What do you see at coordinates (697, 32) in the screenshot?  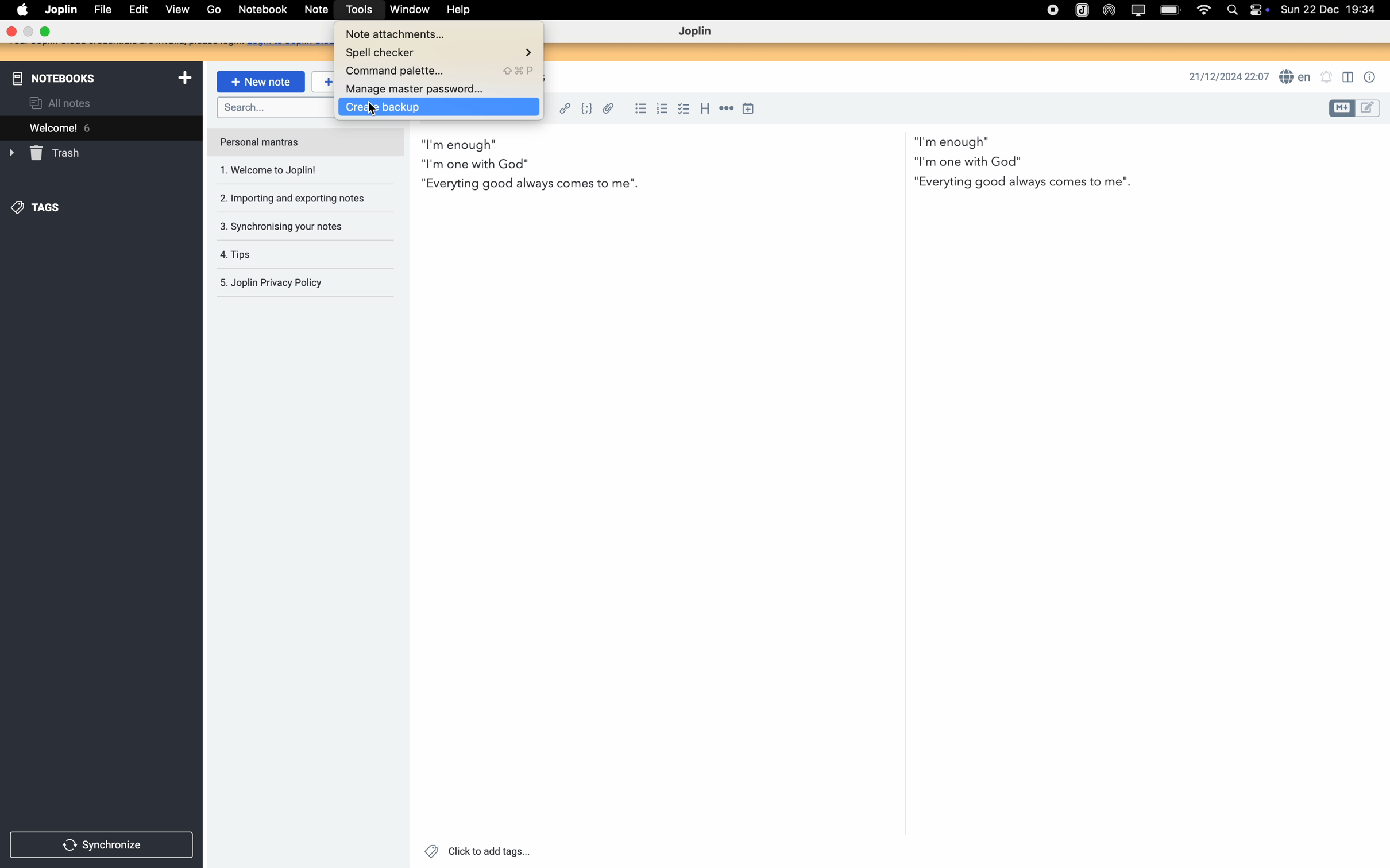 I see `Joplin` at bounding box center [697, 32].